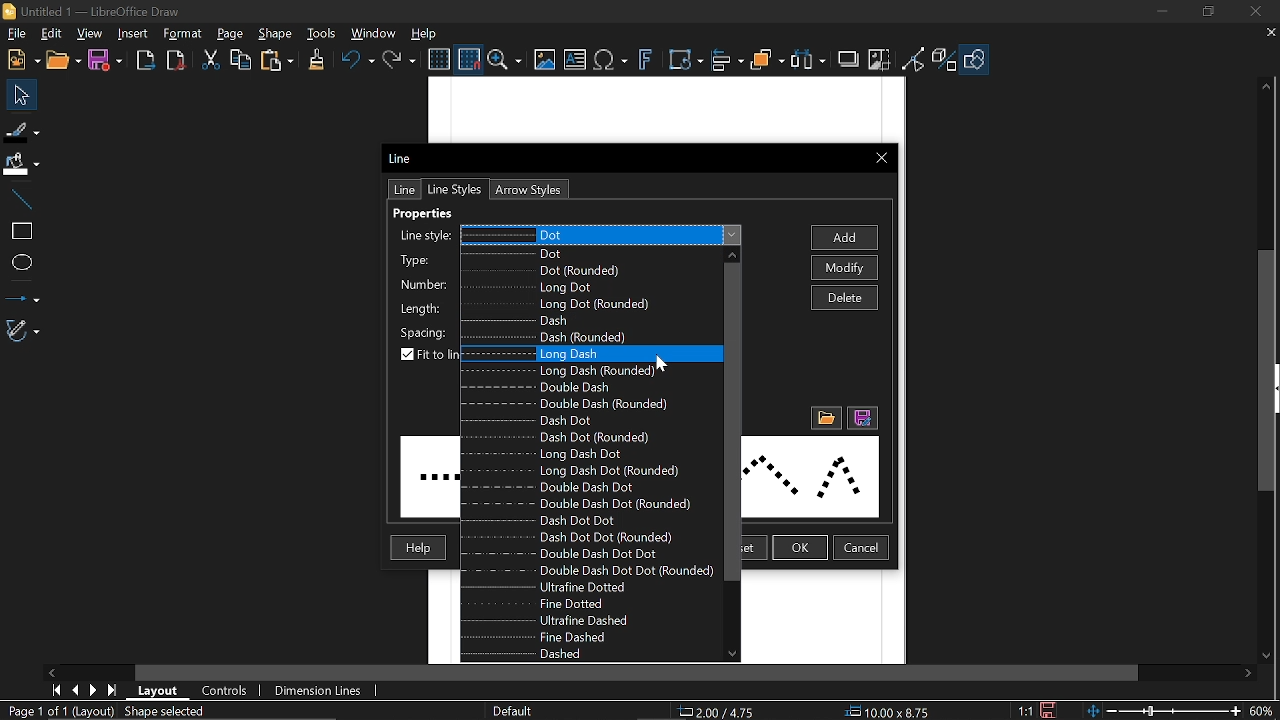  Describe the element at coordinates (436, 214) in the screenshot. I see `Properties` at that location.